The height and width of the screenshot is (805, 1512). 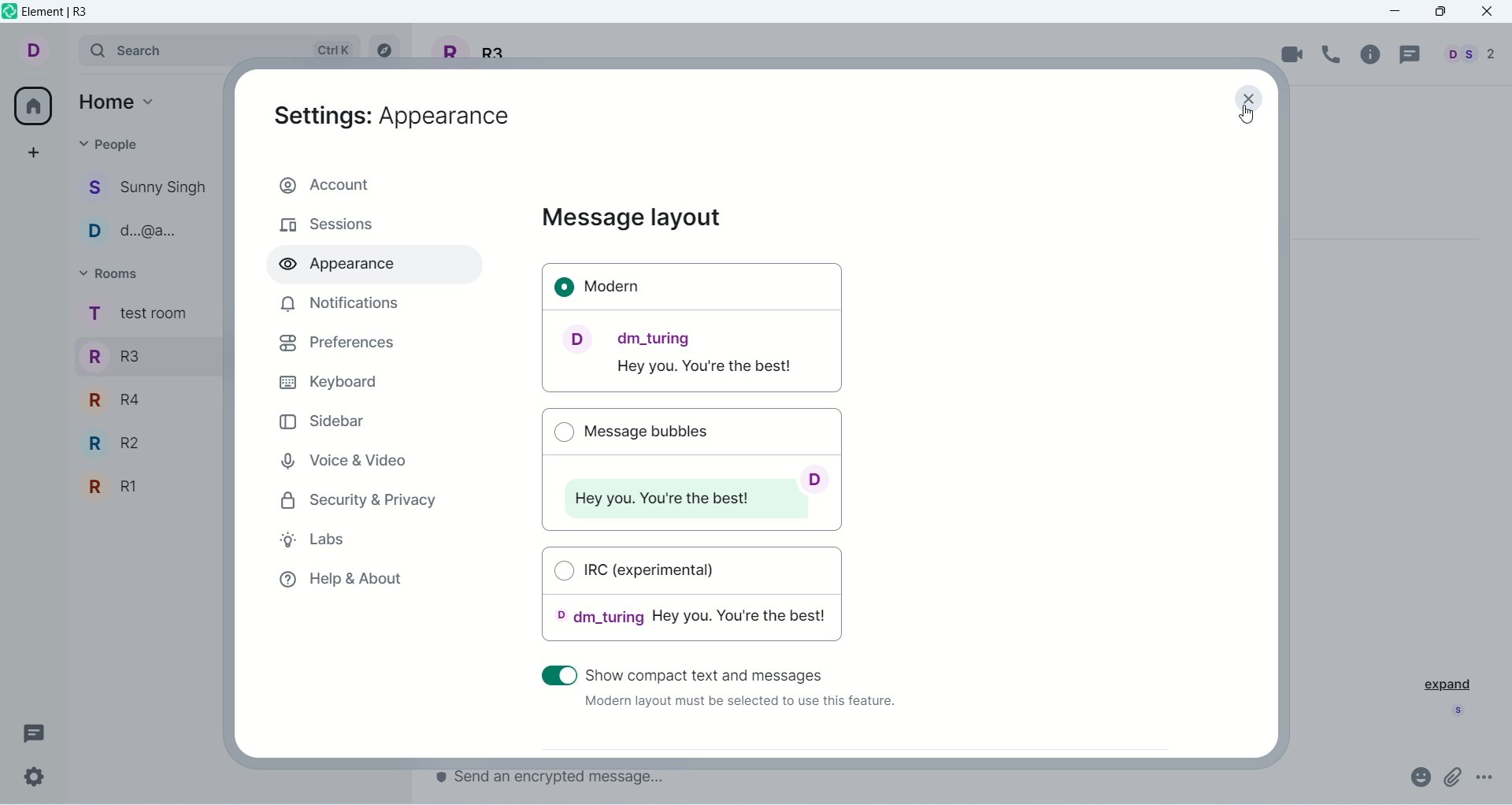 What do you see at coordinates (1373, 54) in the screenshot?
I see `room info` at bounding box center [1373, 54].